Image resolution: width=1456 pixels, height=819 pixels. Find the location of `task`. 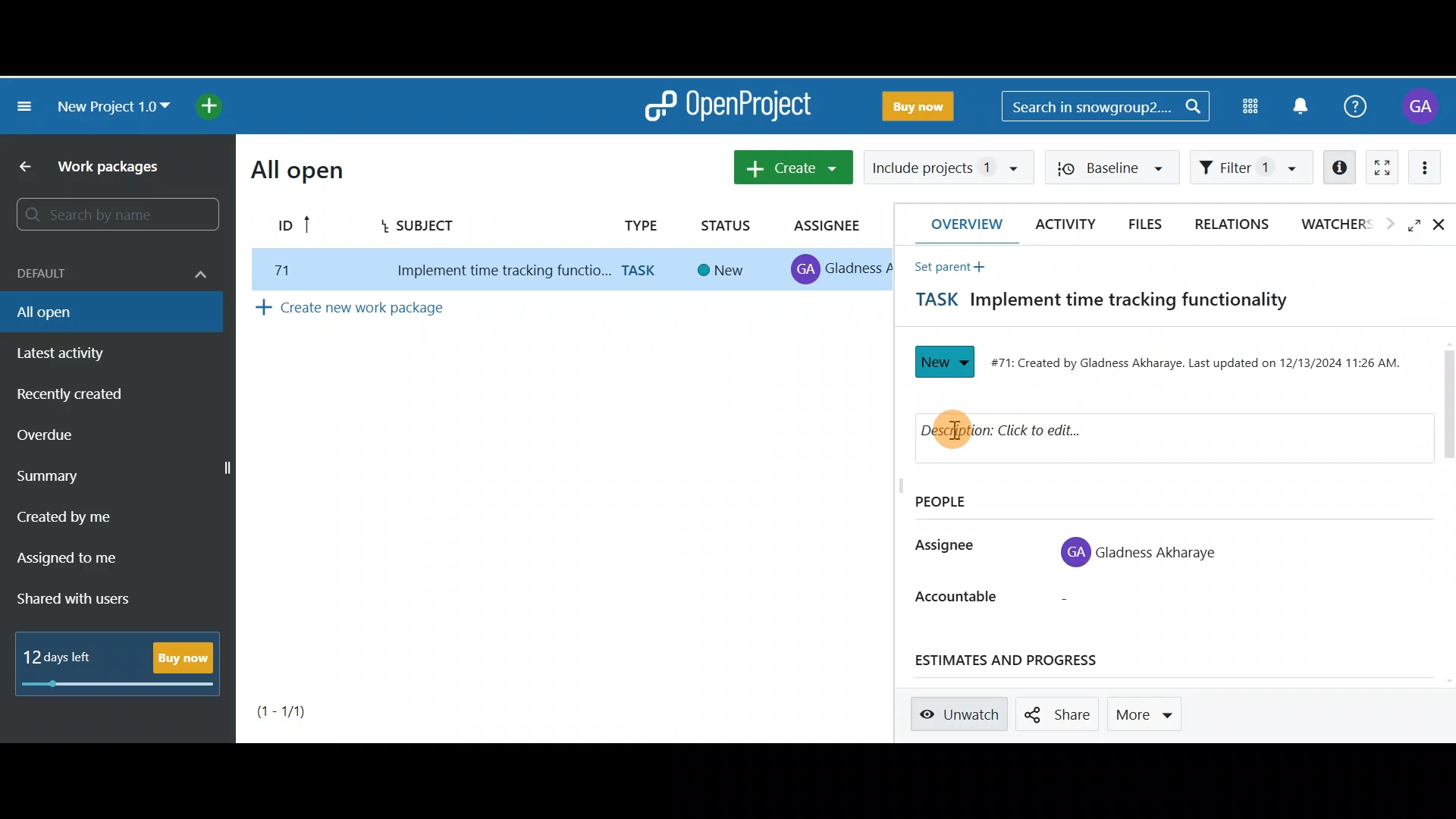

task is located at coordinates (643, 271).